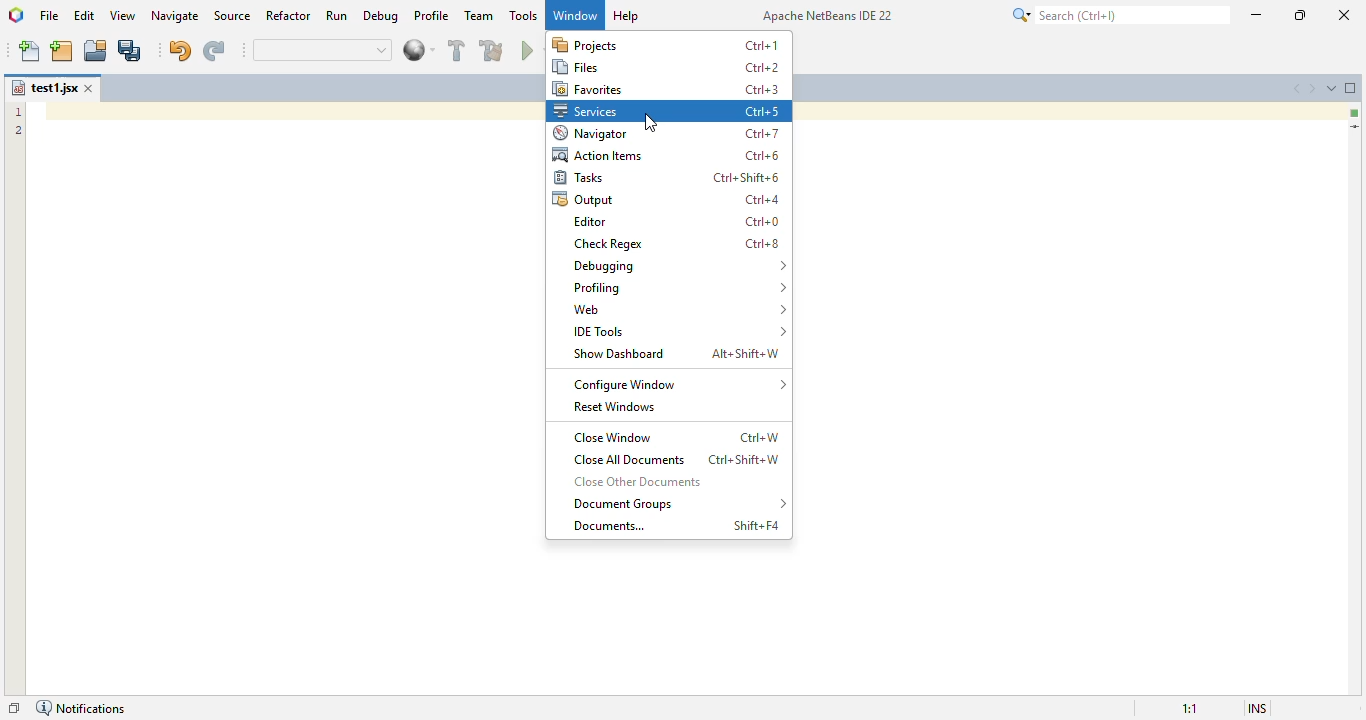  What do you see at coordinates (131, 51) in the screenshot?
I see `save all ` at bounding box center [131, 51].